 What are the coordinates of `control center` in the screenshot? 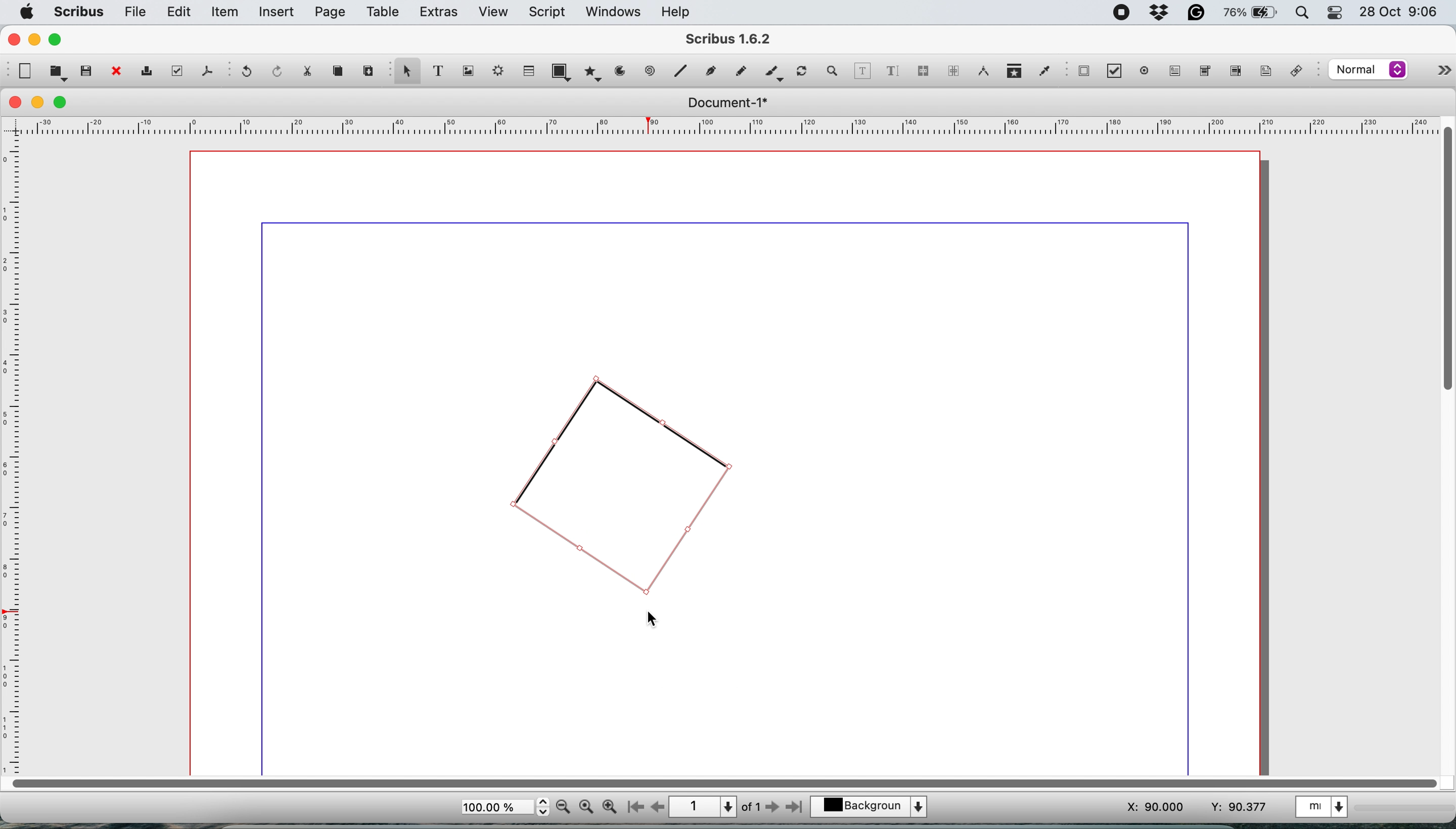 It's located at (1334, 14).